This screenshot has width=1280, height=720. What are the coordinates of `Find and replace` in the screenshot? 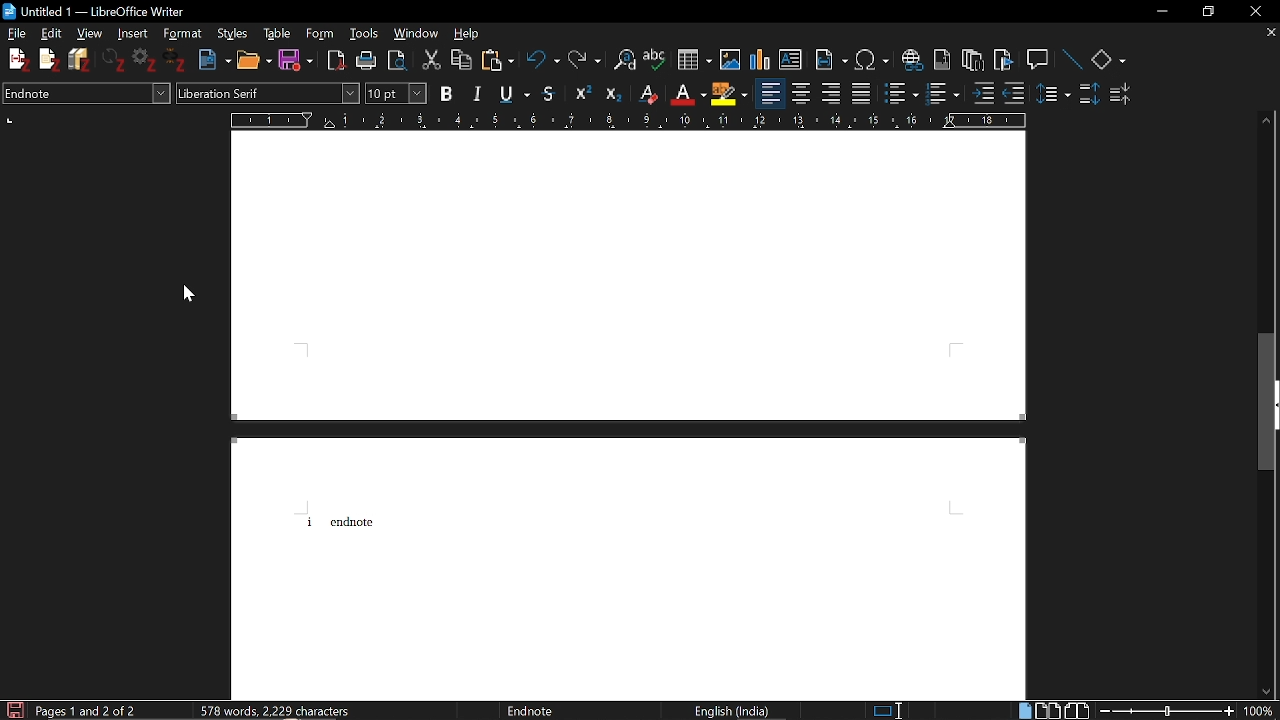 It's located at (625, 62).